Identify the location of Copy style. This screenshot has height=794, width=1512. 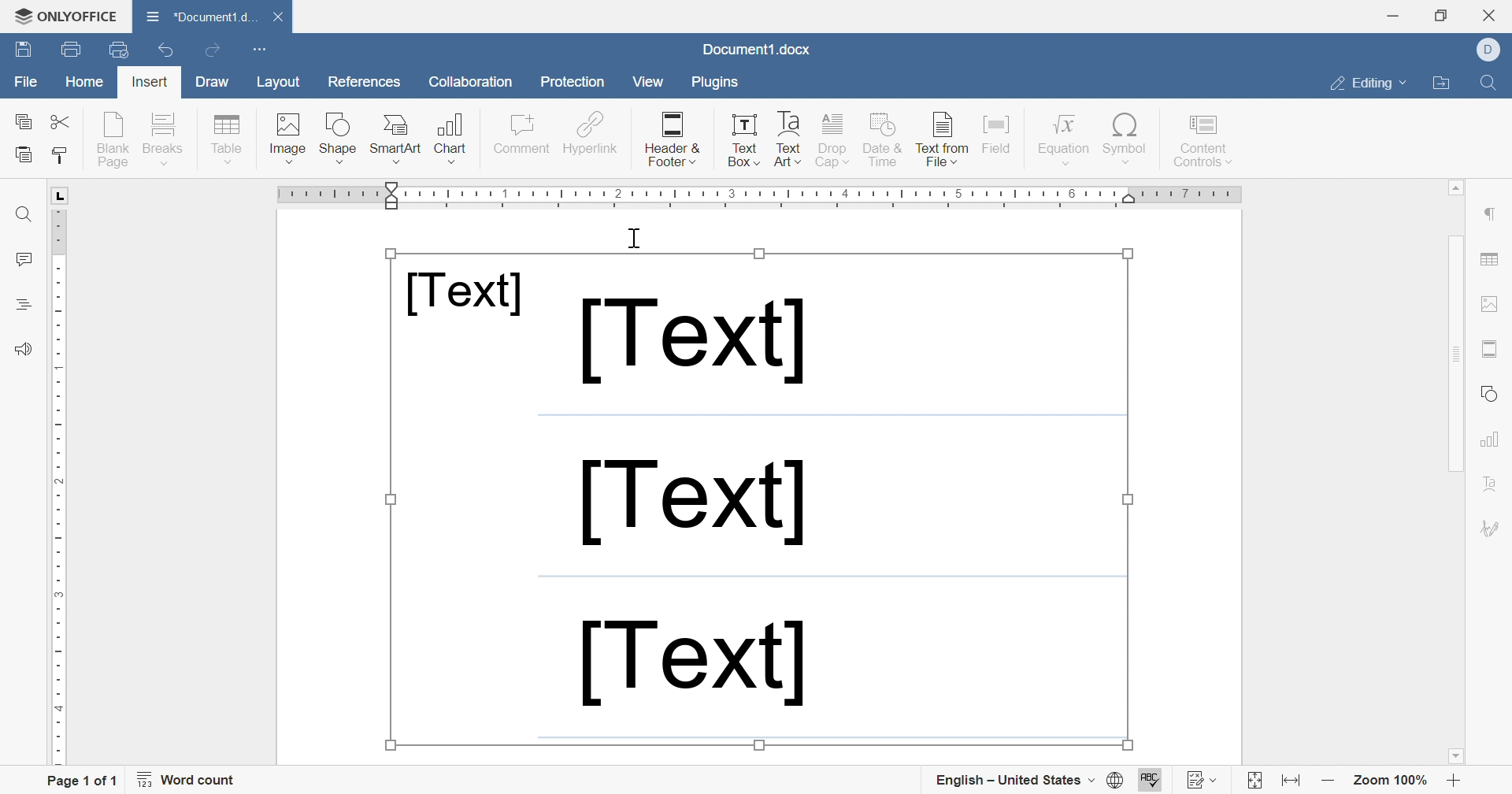
(62, 156).